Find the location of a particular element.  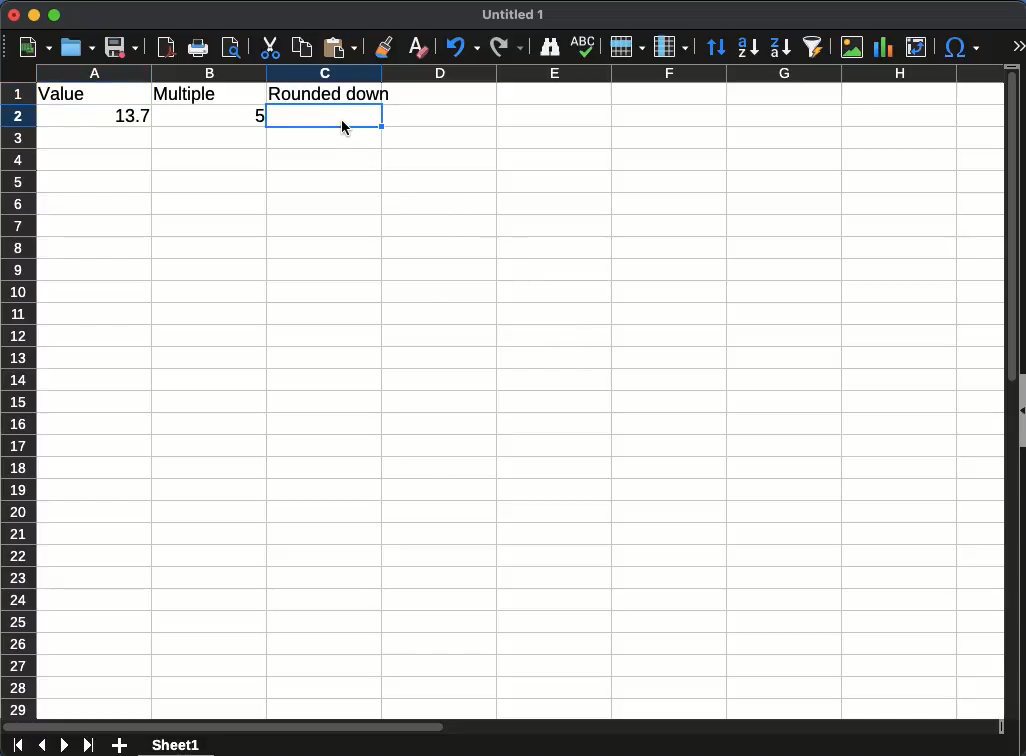

redo is located at coordinates (507, 47).